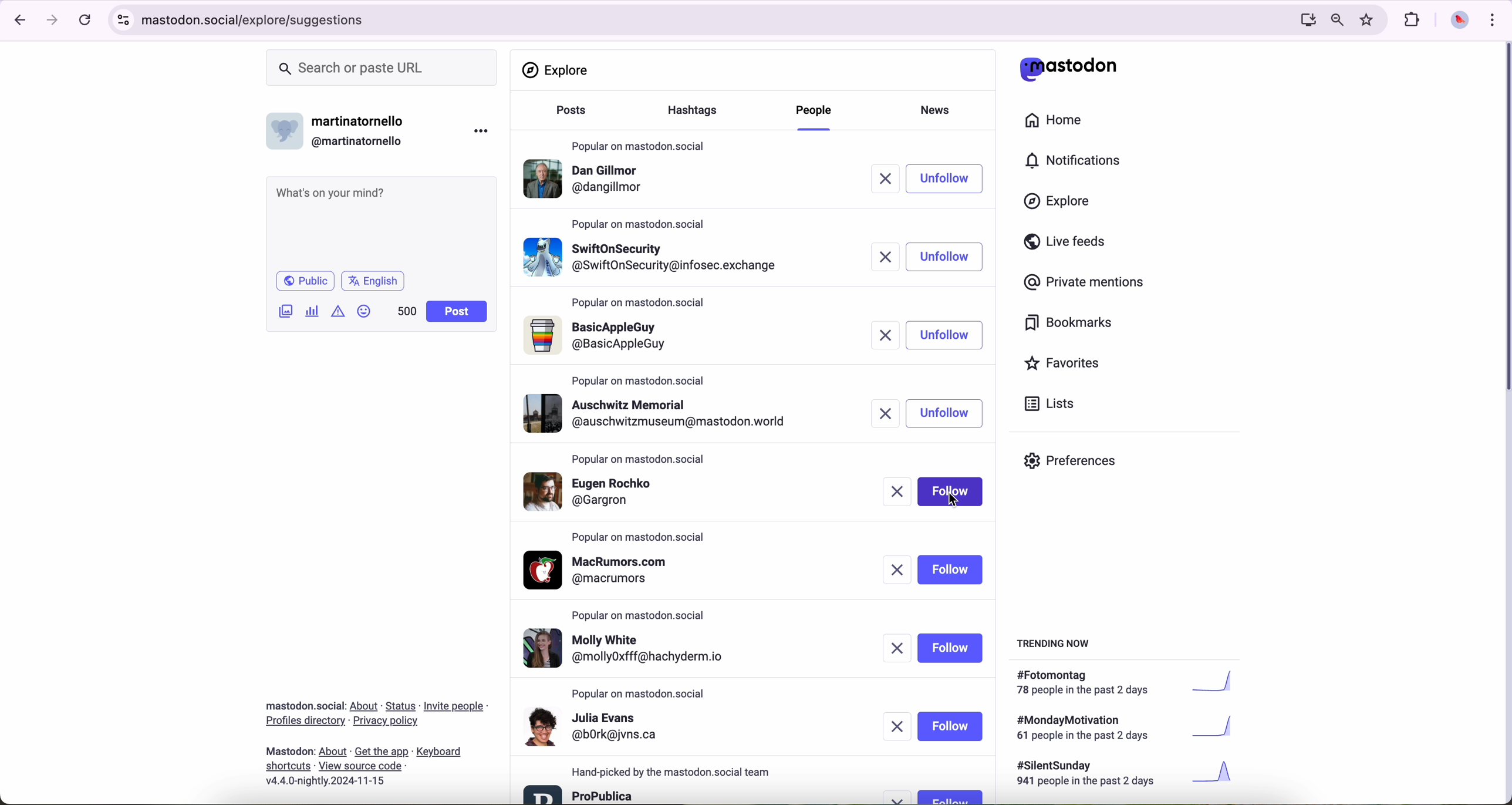 This screenshot has width=1512, height=805. What do you see at coordinates (699, 112) in the screenshot?
I see `hasgtags` at bounding box center [699, 112].